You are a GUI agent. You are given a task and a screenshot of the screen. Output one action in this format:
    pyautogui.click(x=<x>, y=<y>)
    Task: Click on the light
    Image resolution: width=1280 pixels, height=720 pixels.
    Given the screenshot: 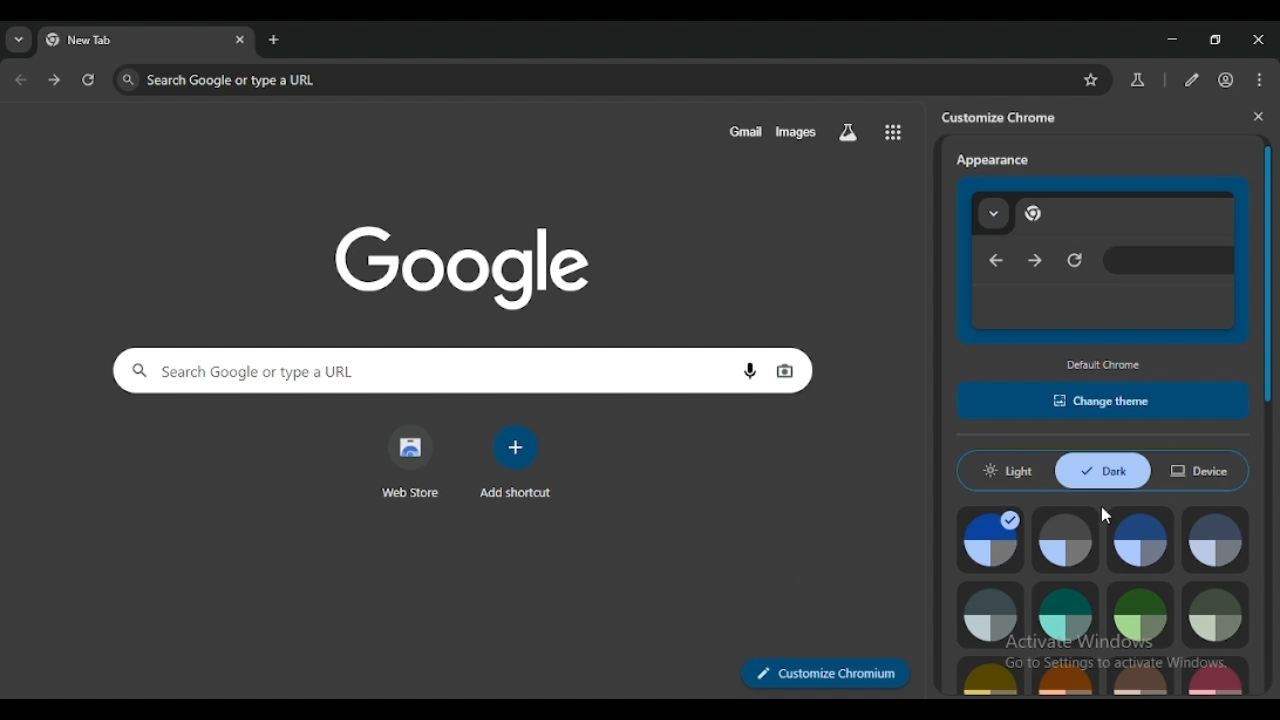 What is the action you would take?
    pyautogui.click(x=999, y=471)
    